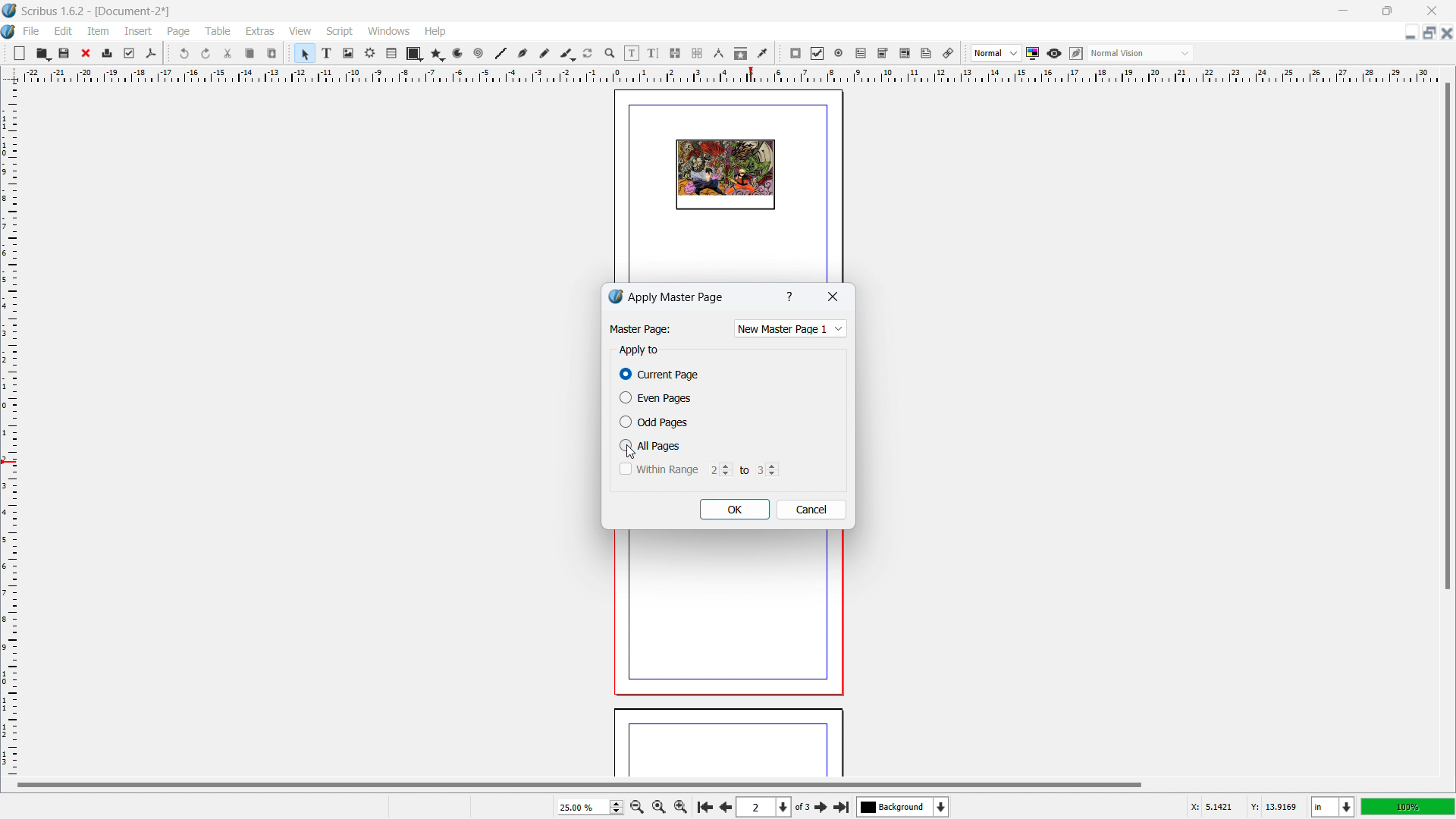 Image resolution: width=1456 pixels, height=819 pixels. I want to click on rotate item, so click(588, 54).